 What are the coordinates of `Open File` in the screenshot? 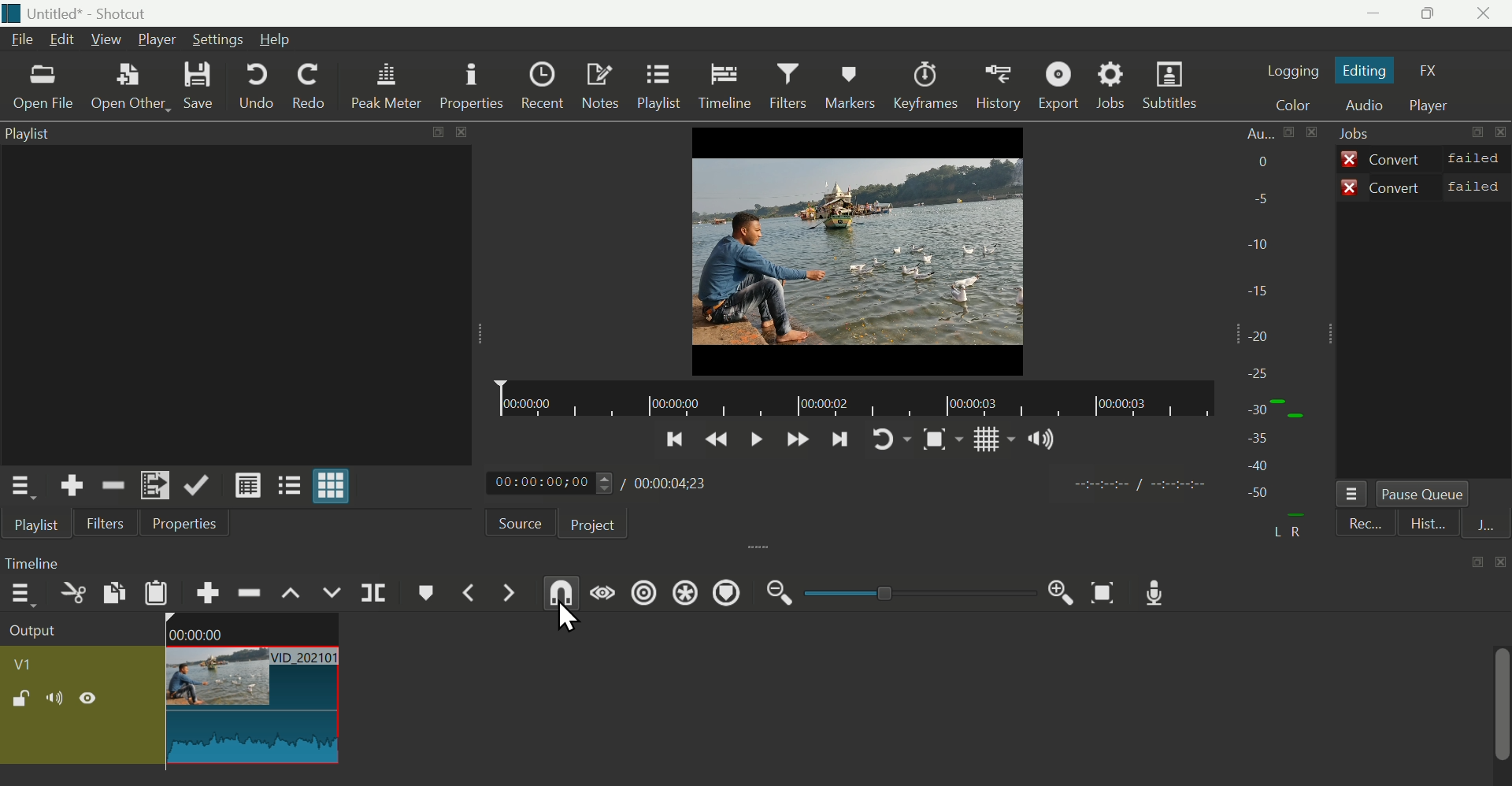 It's located at (41, 91).